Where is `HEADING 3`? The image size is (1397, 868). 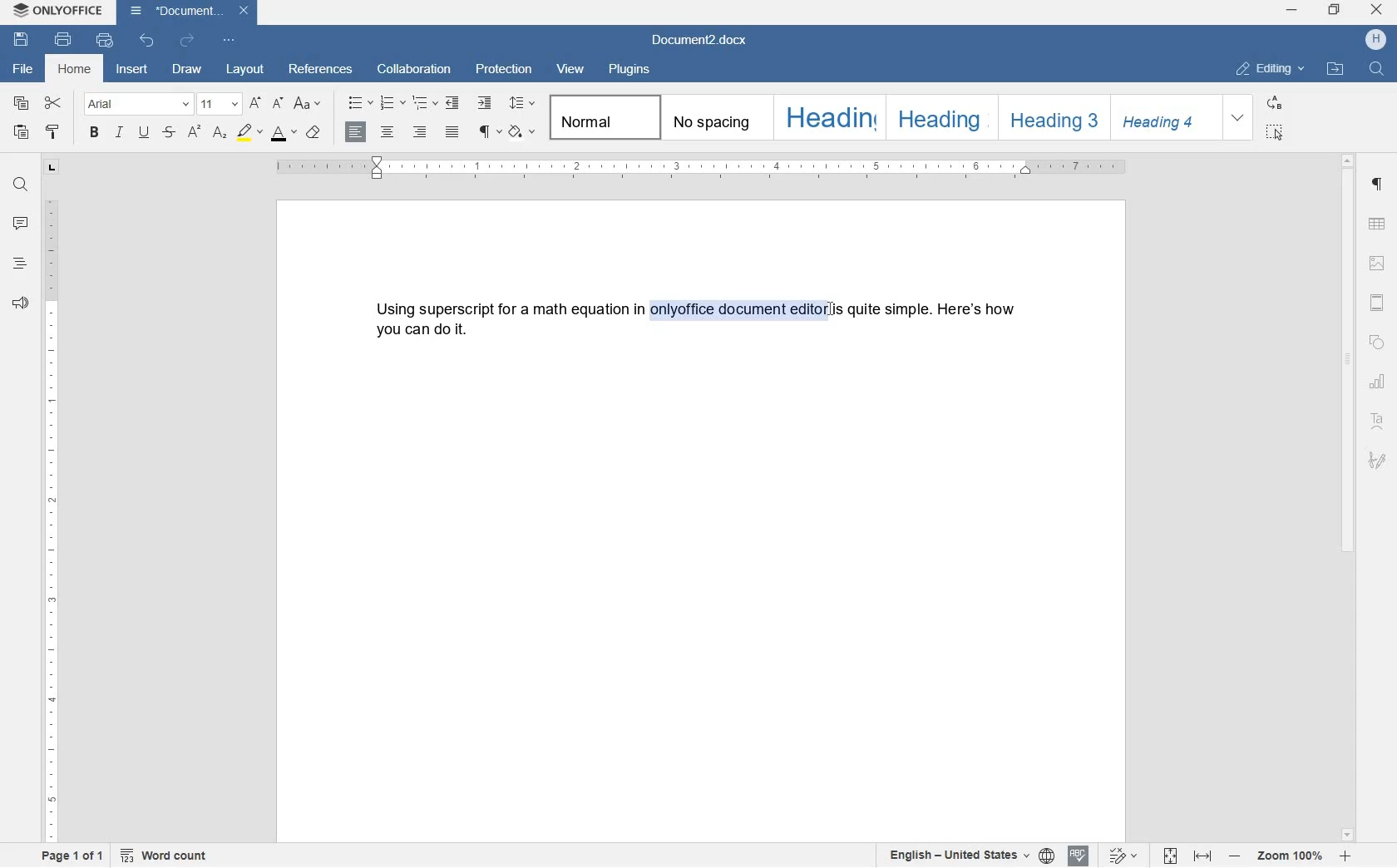 HEADING 3 is located at coordinates (1052, 116).